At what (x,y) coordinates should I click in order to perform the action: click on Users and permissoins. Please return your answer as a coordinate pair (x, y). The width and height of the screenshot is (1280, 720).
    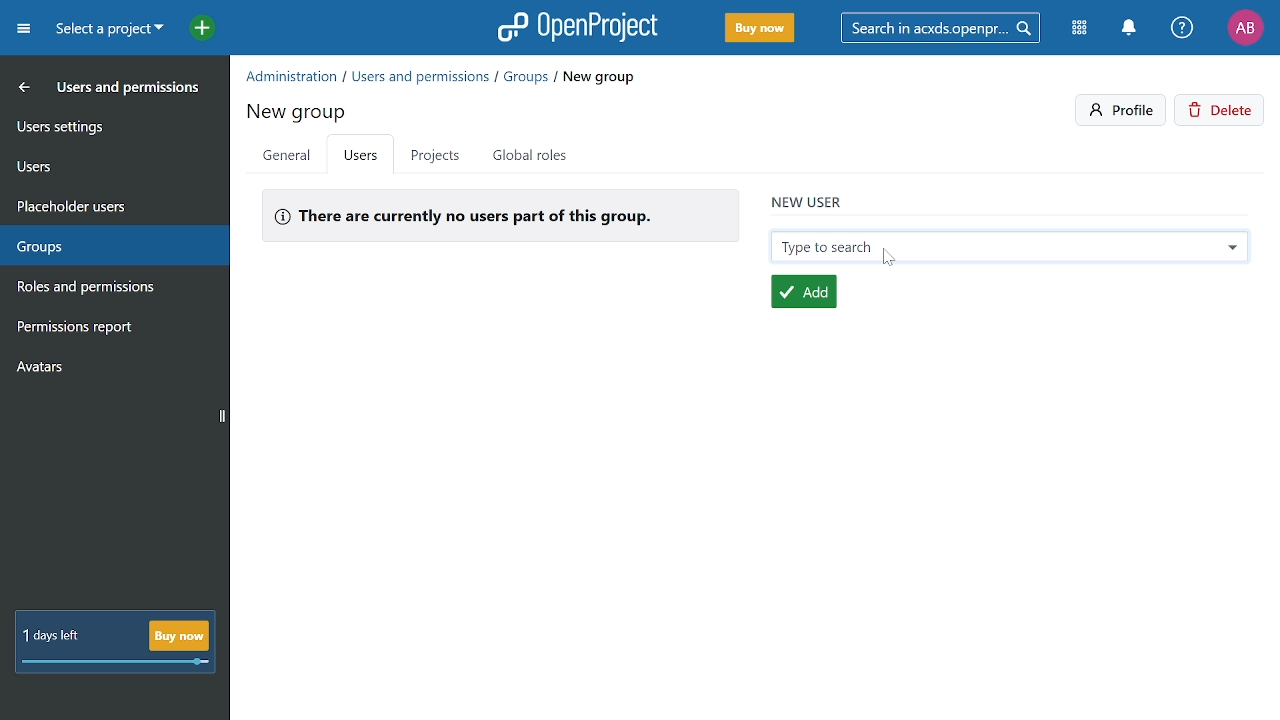
    Looking at the image, I should click on (130, 91).